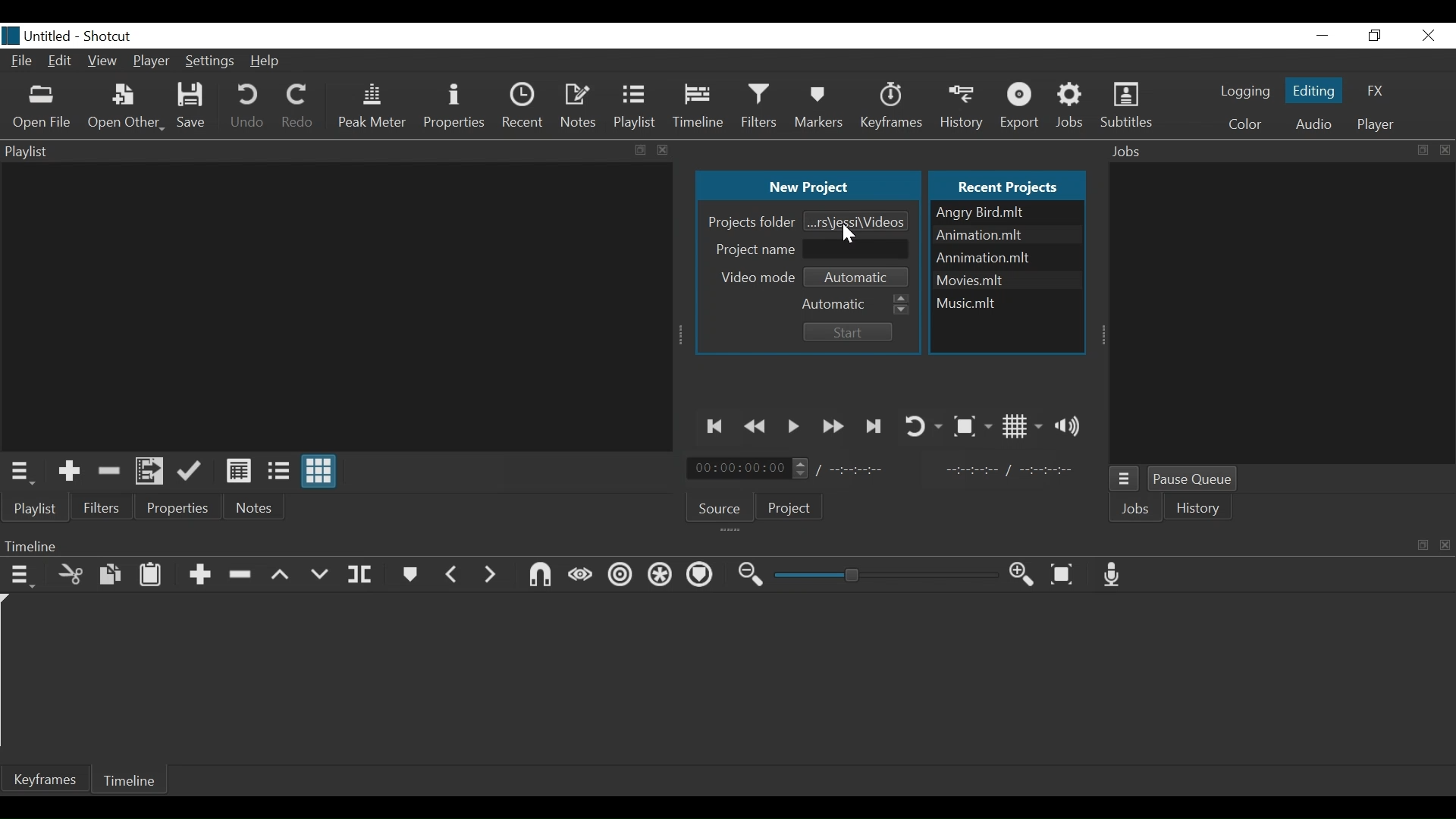  What do you see at coordinates (759, 277) in the screenshot?
I see `Video mode` at bounding box center [759, 277].